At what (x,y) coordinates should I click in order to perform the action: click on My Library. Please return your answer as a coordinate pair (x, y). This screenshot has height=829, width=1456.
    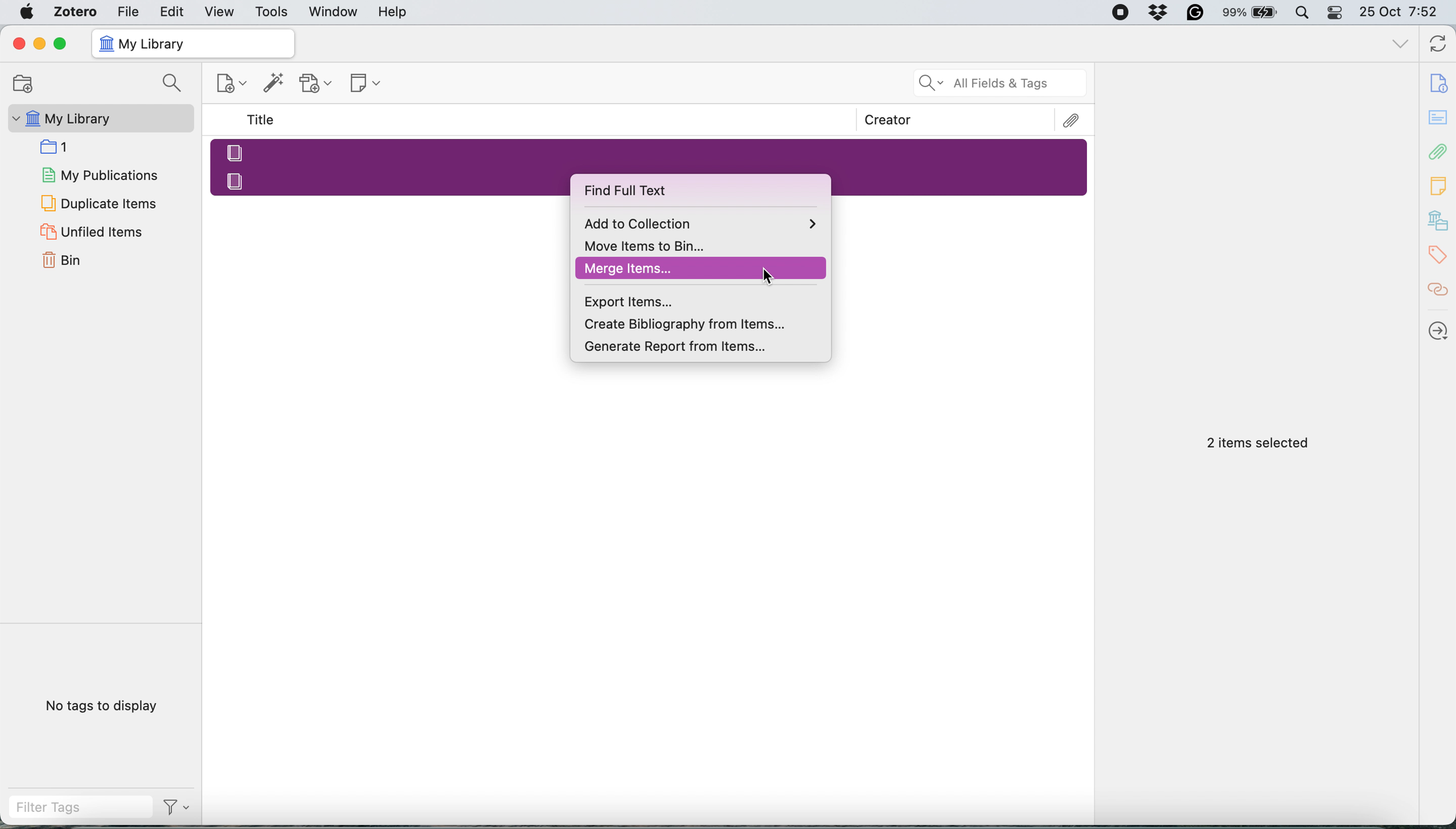
    Looking at the image, I should click on (192, 44).